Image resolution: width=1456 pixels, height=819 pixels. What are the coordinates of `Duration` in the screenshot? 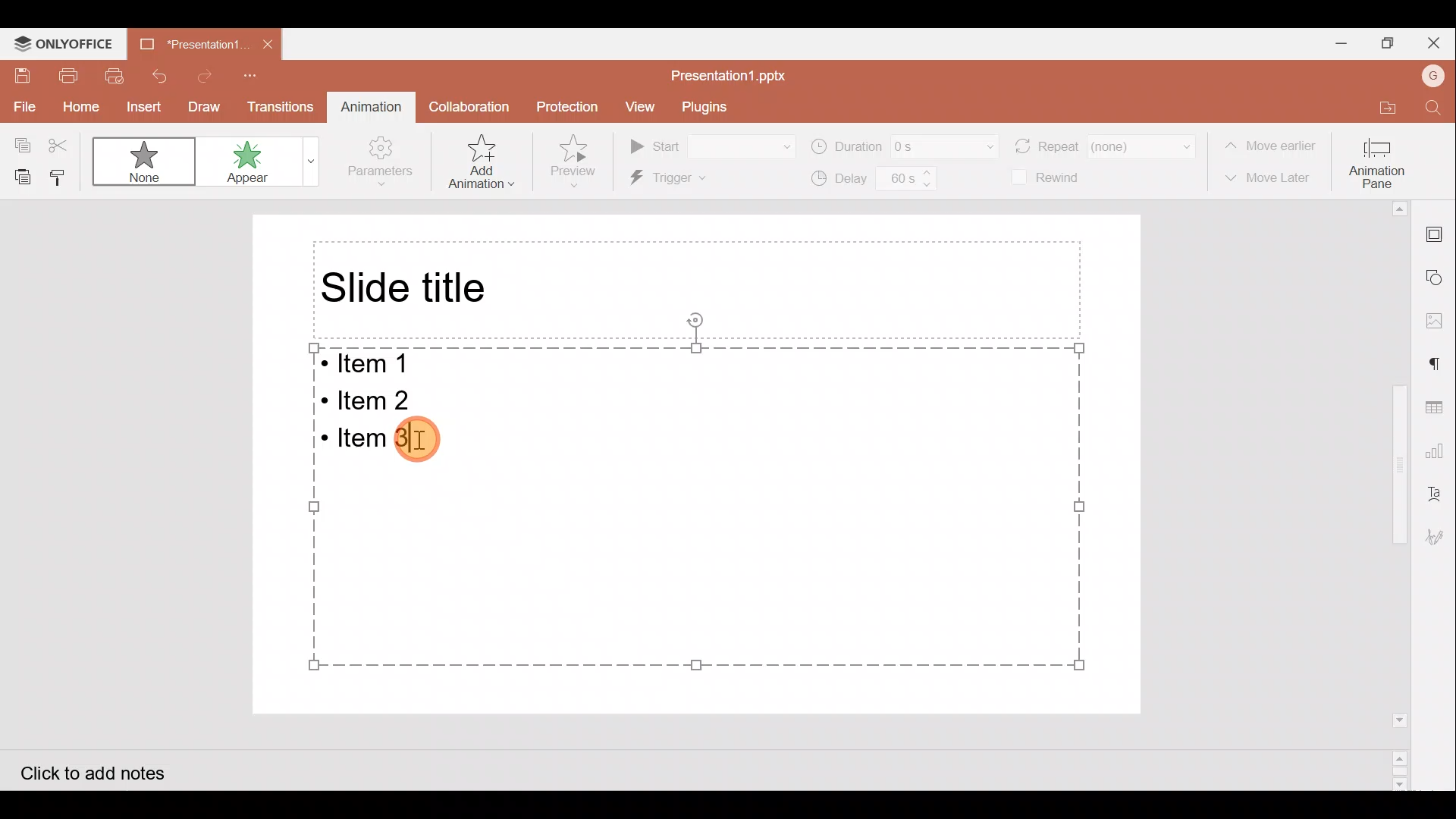 It's located at (904, 145).